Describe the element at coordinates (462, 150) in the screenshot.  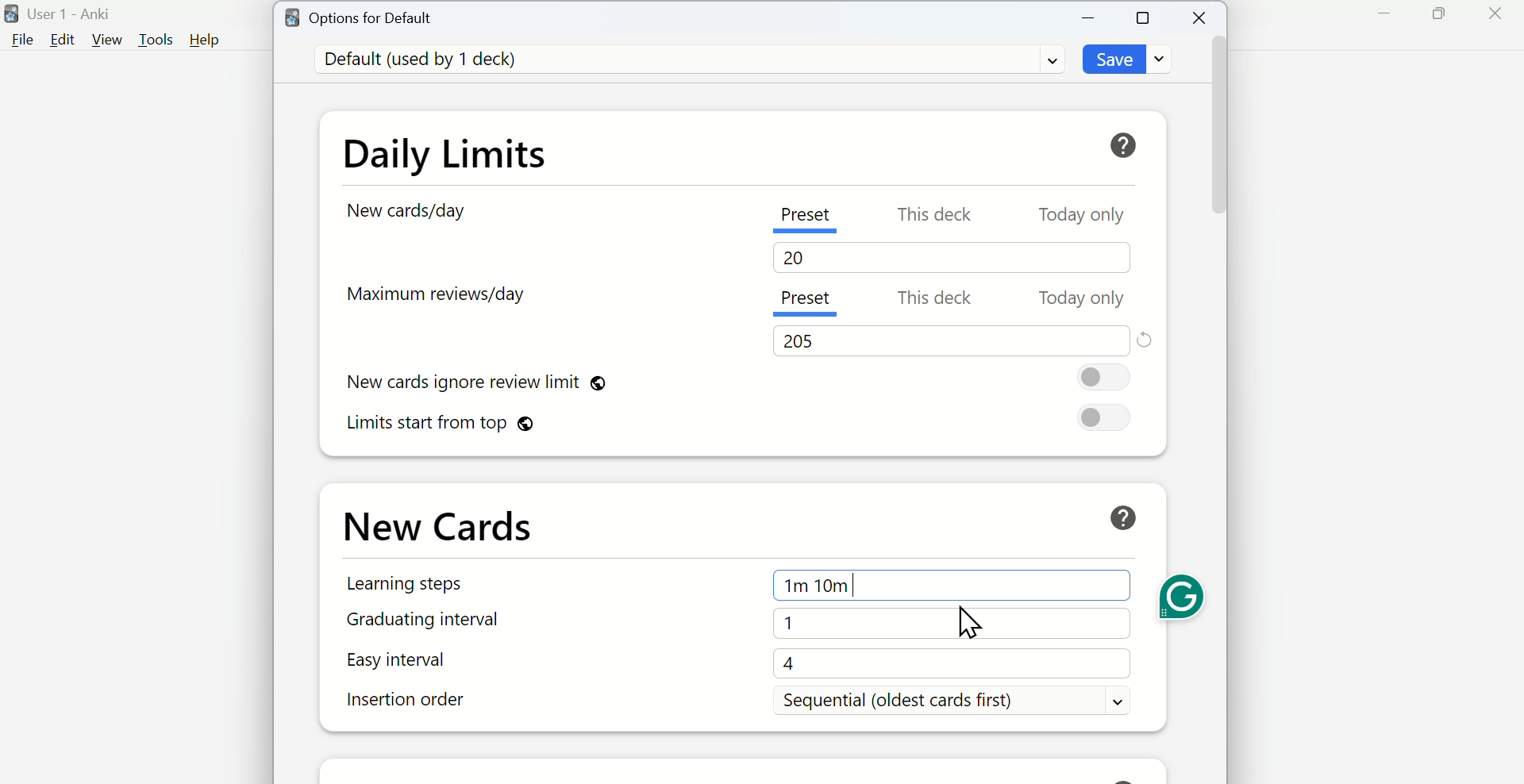
I see `Daily Limits` at that location.